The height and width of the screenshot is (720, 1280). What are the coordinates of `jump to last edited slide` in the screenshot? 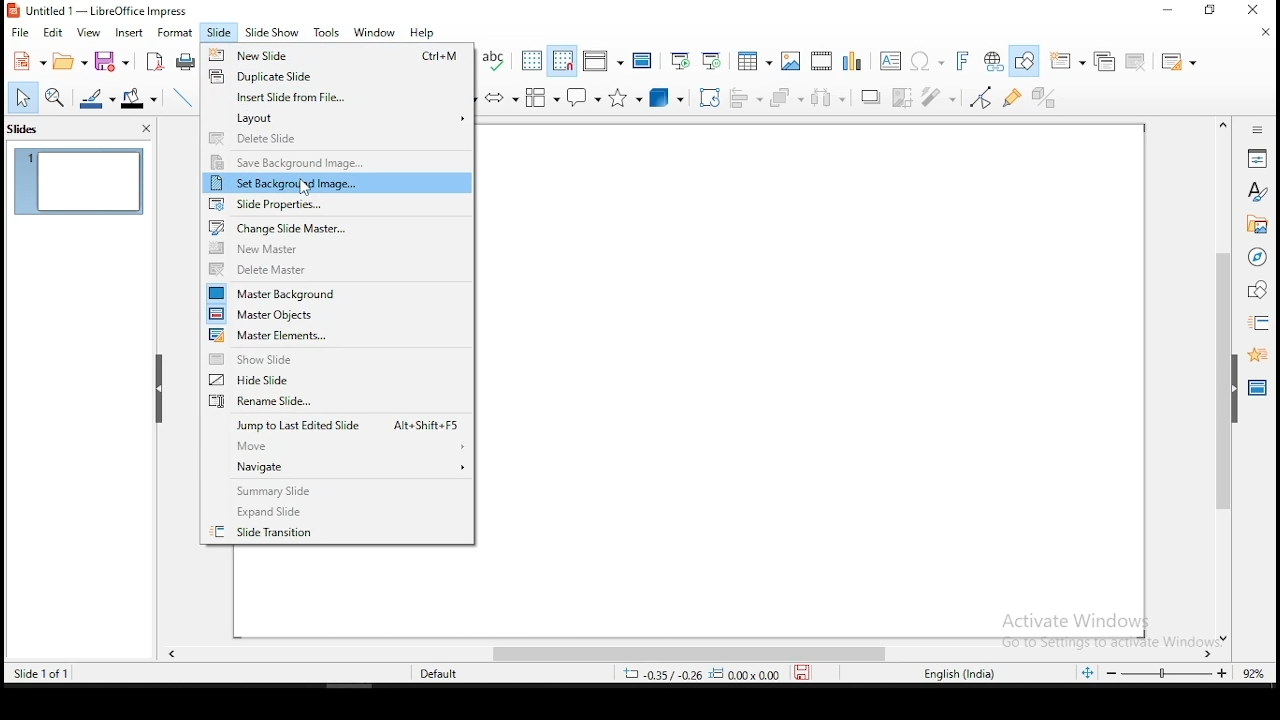 It's located at (337, 425).